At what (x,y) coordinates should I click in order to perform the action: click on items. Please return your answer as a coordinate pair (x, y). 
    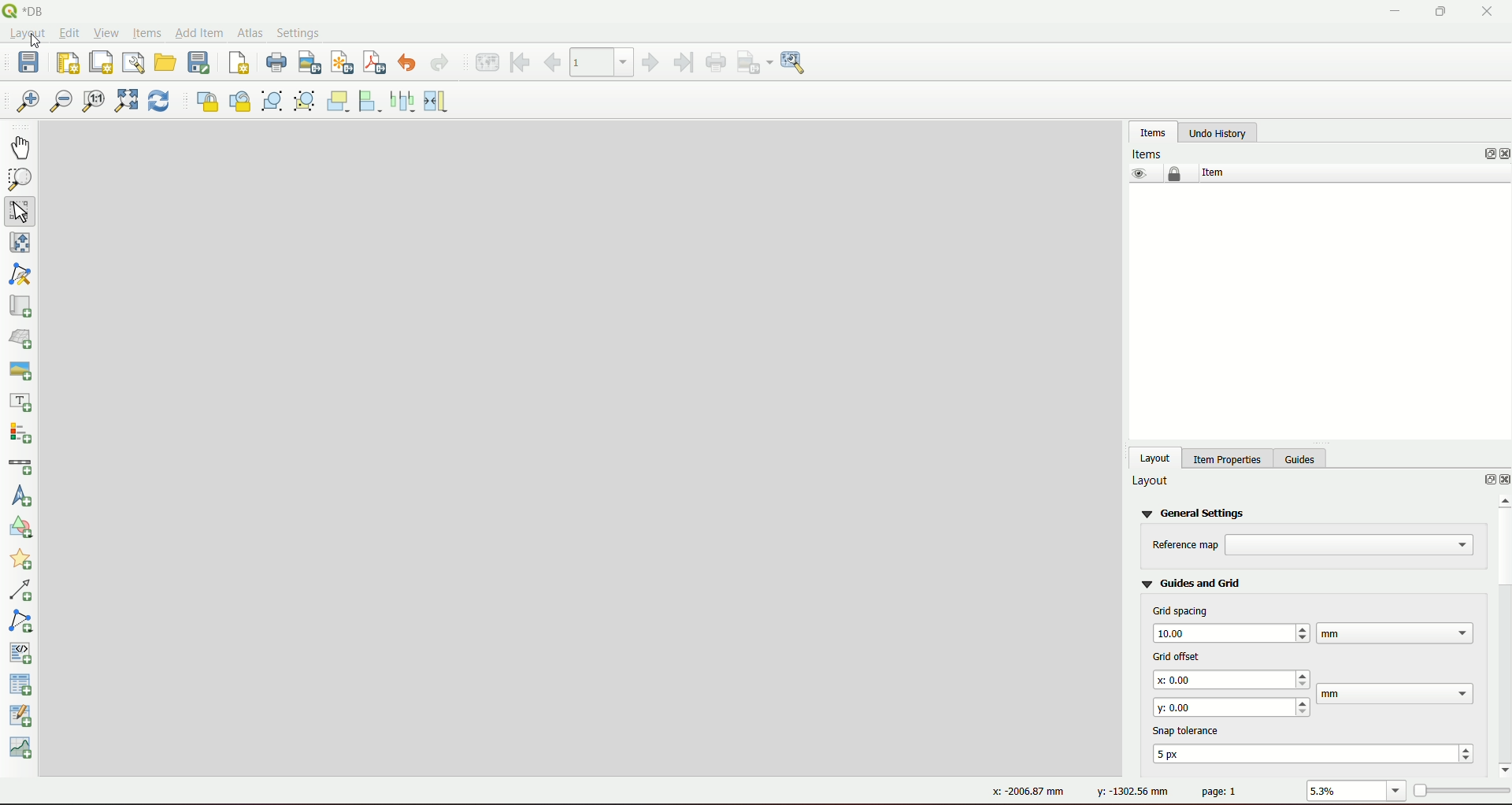
    Looking at the image, I should click on (1153, 132).